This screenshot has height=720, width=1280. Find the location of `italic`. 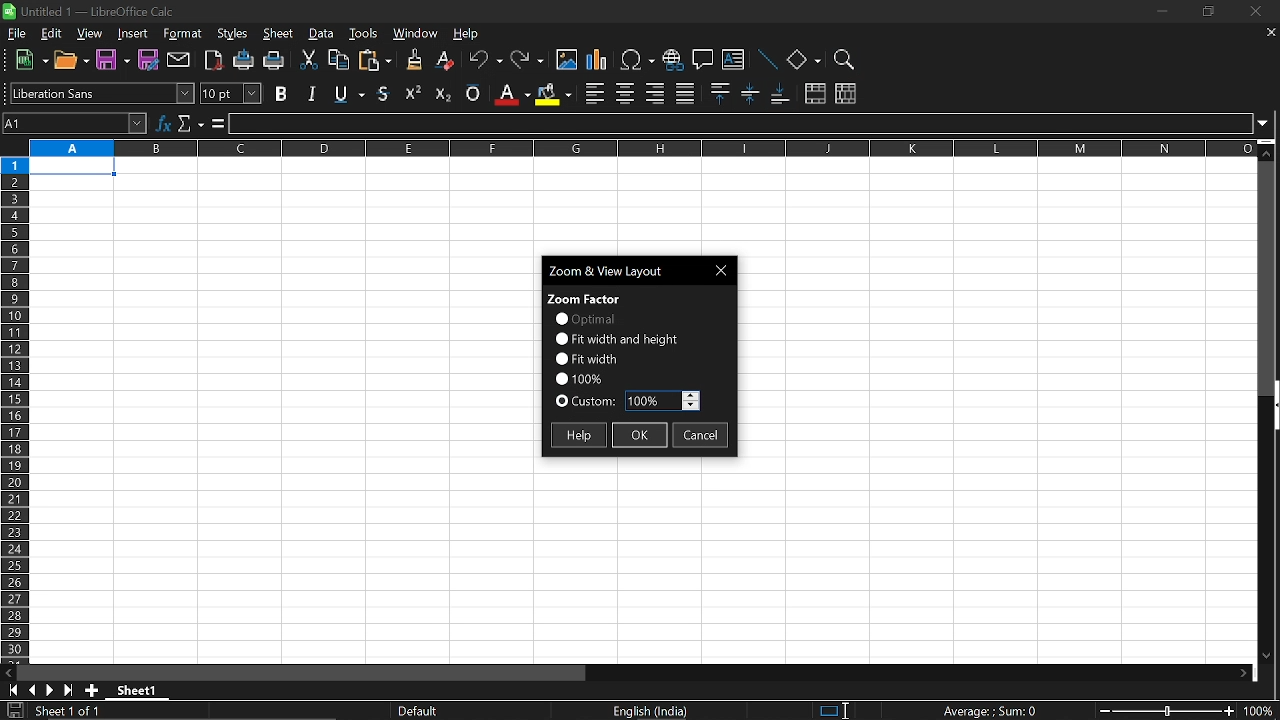

italic is located at coordinates (312, 93).